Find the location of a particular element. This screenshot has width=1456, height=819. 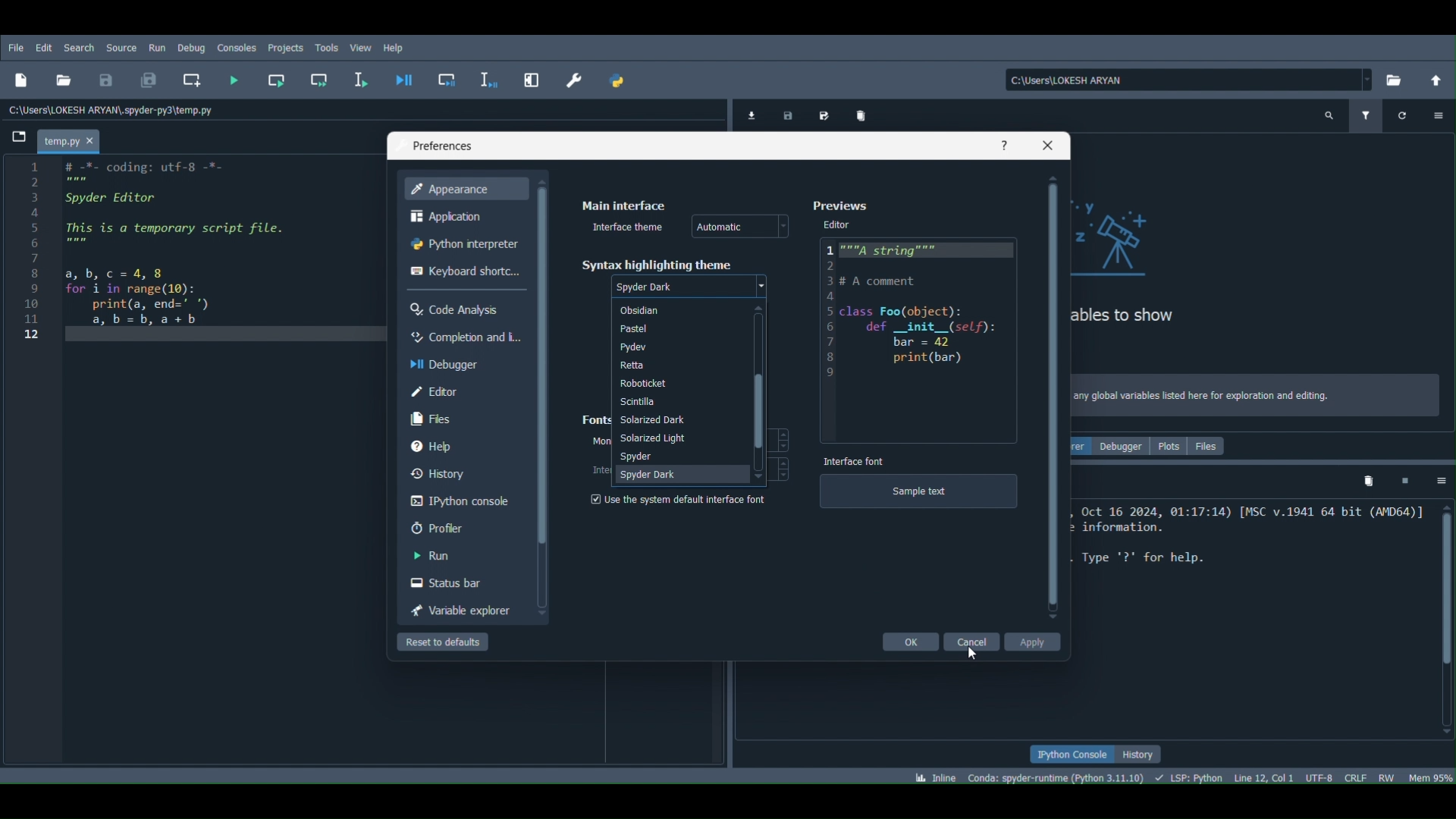

Scrollbar is located at coordinates (1056, 398).